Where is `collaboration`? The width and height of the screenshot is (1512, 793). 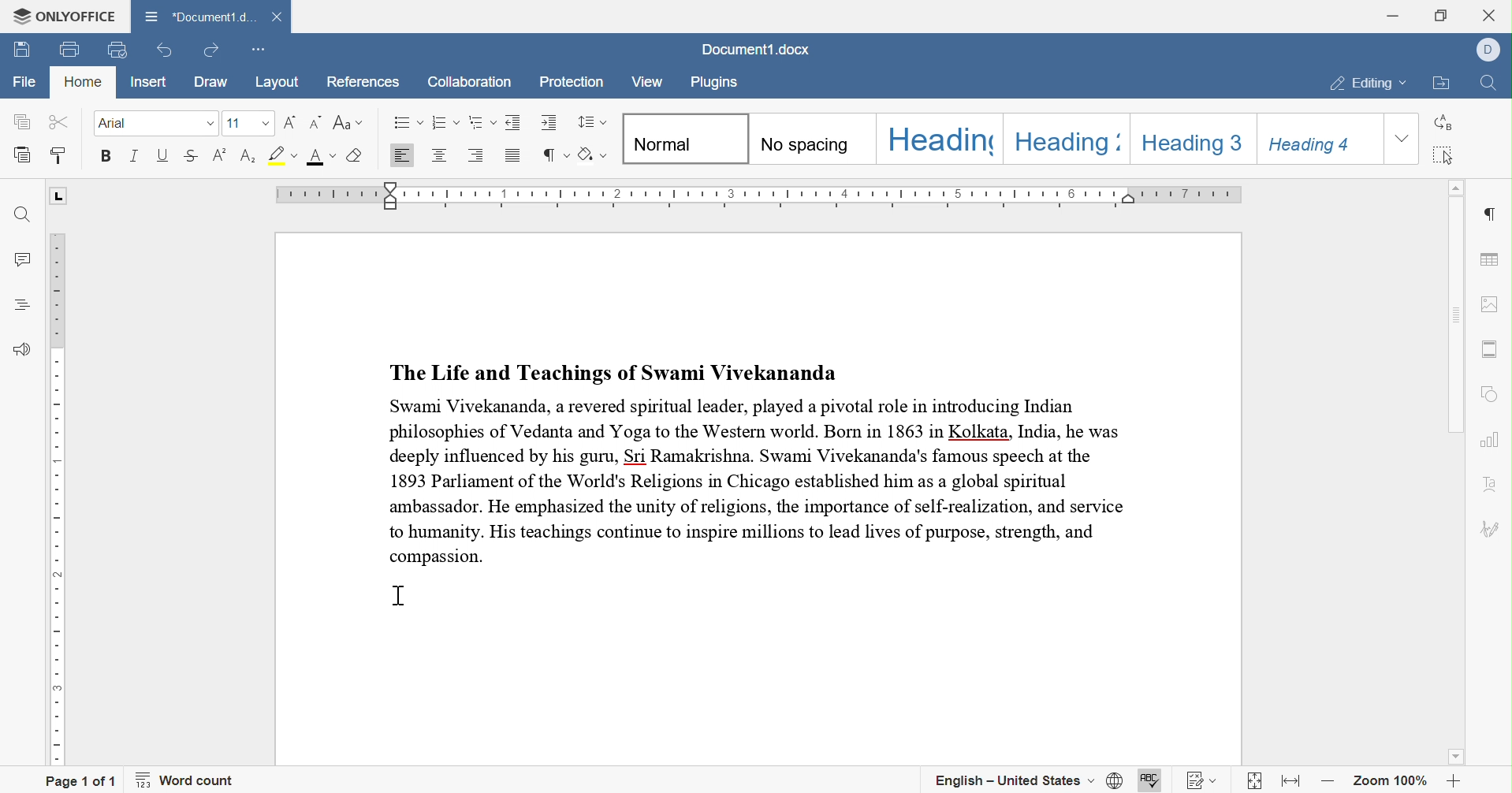 collaboration is located at coordinates (468, 83).